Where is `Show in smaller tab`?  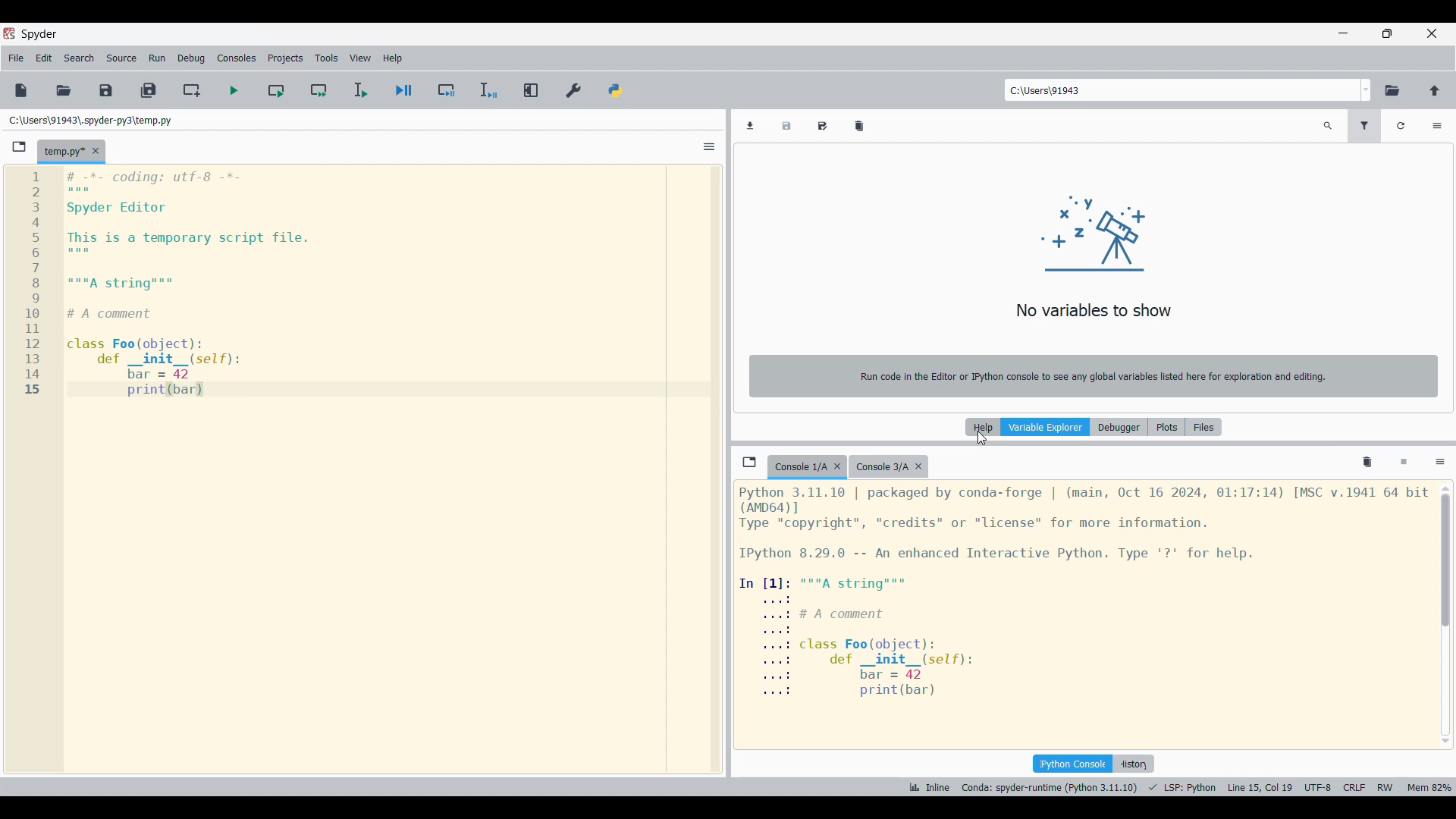 Show in smaller tab is located at coordinates (1387, 33).